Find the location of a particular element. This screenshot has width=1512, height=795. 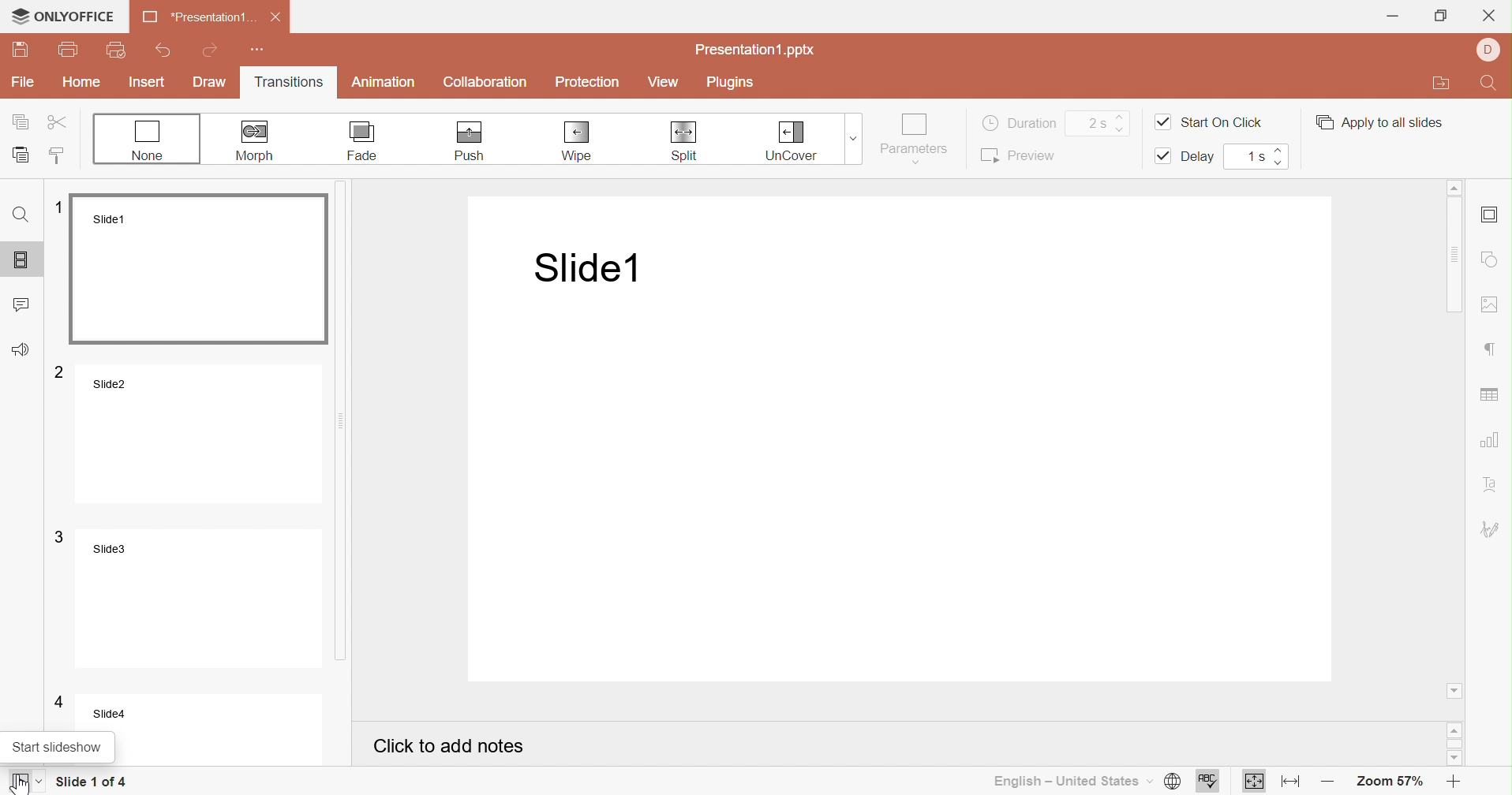

Find is located at coordinates (22, 220).